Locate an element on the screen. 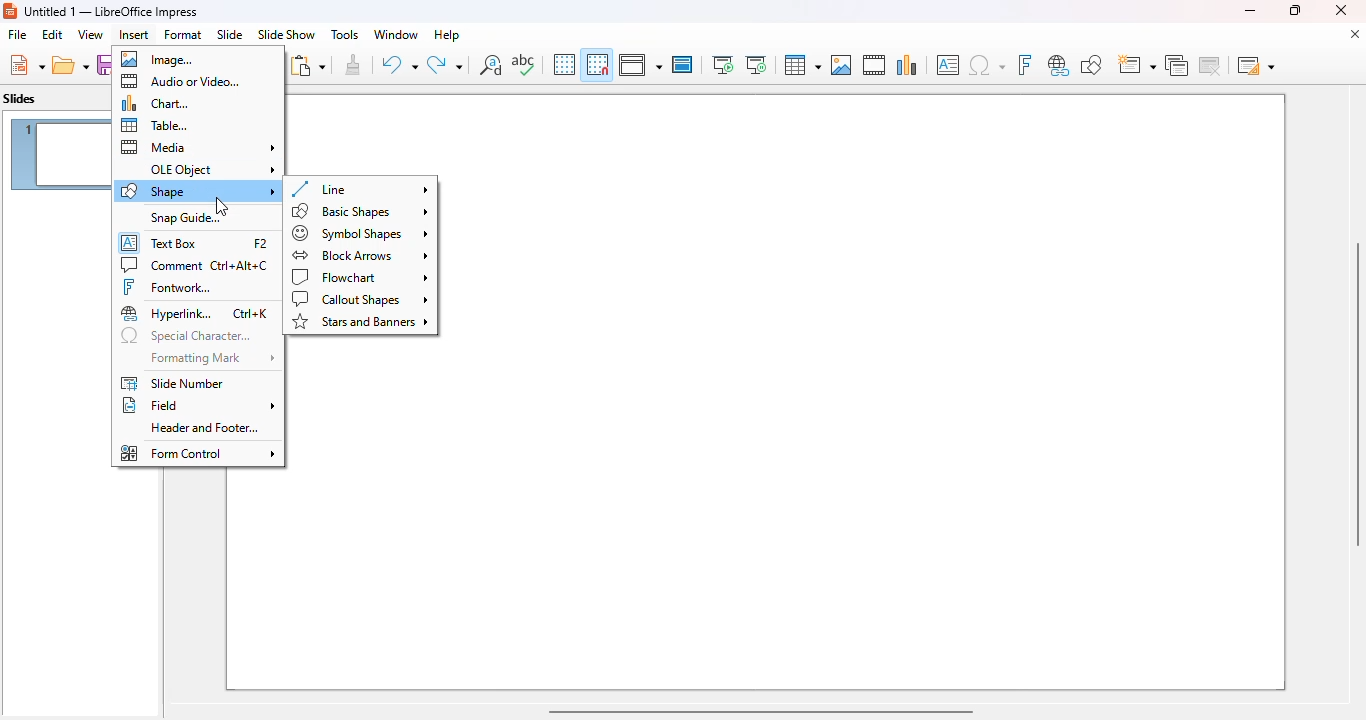  header and footer is located at coordinates (204, 428).